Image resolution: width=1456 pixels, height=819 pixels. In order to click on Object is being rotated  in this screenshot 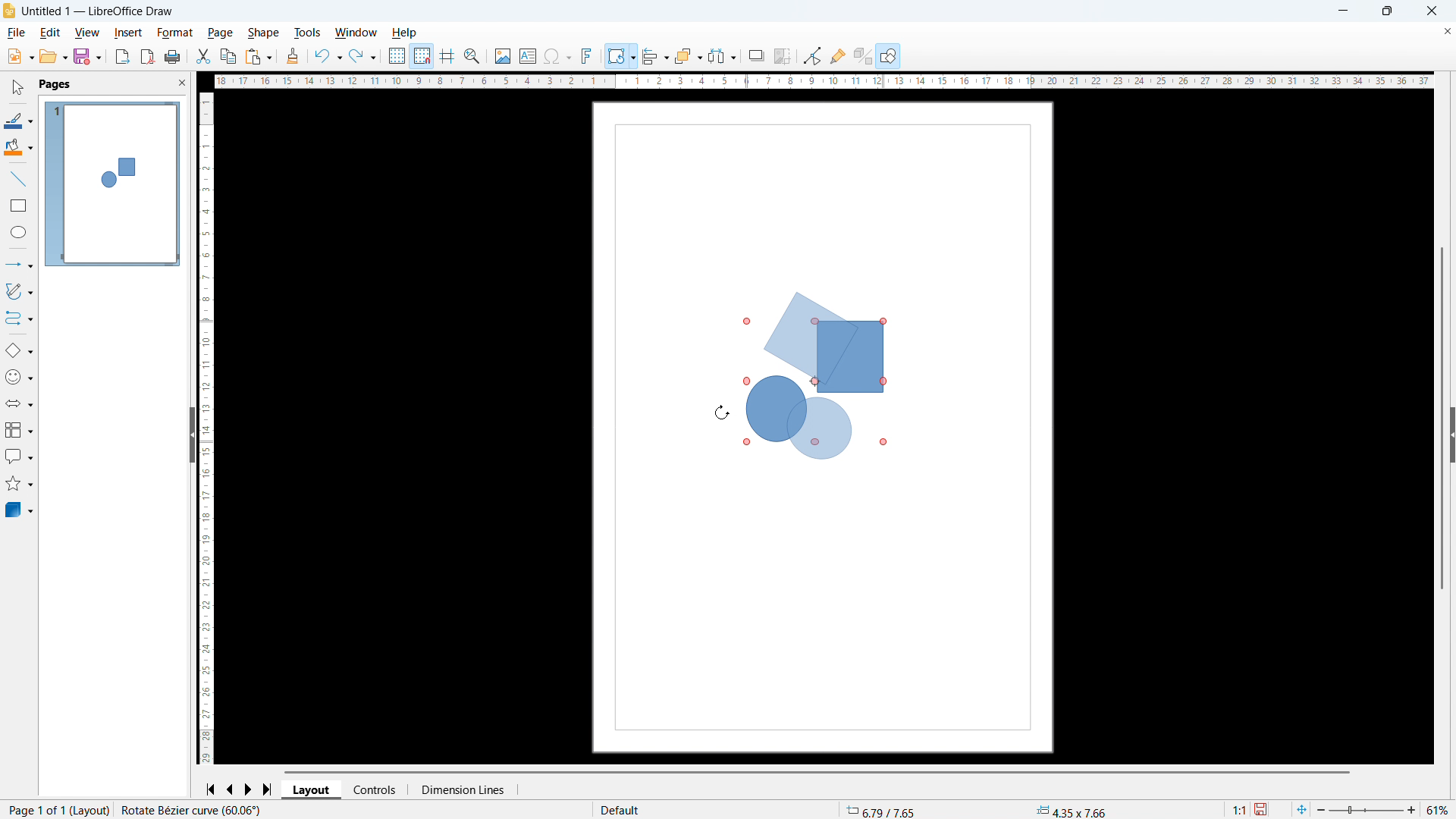, I will do `click(817, 375)`.